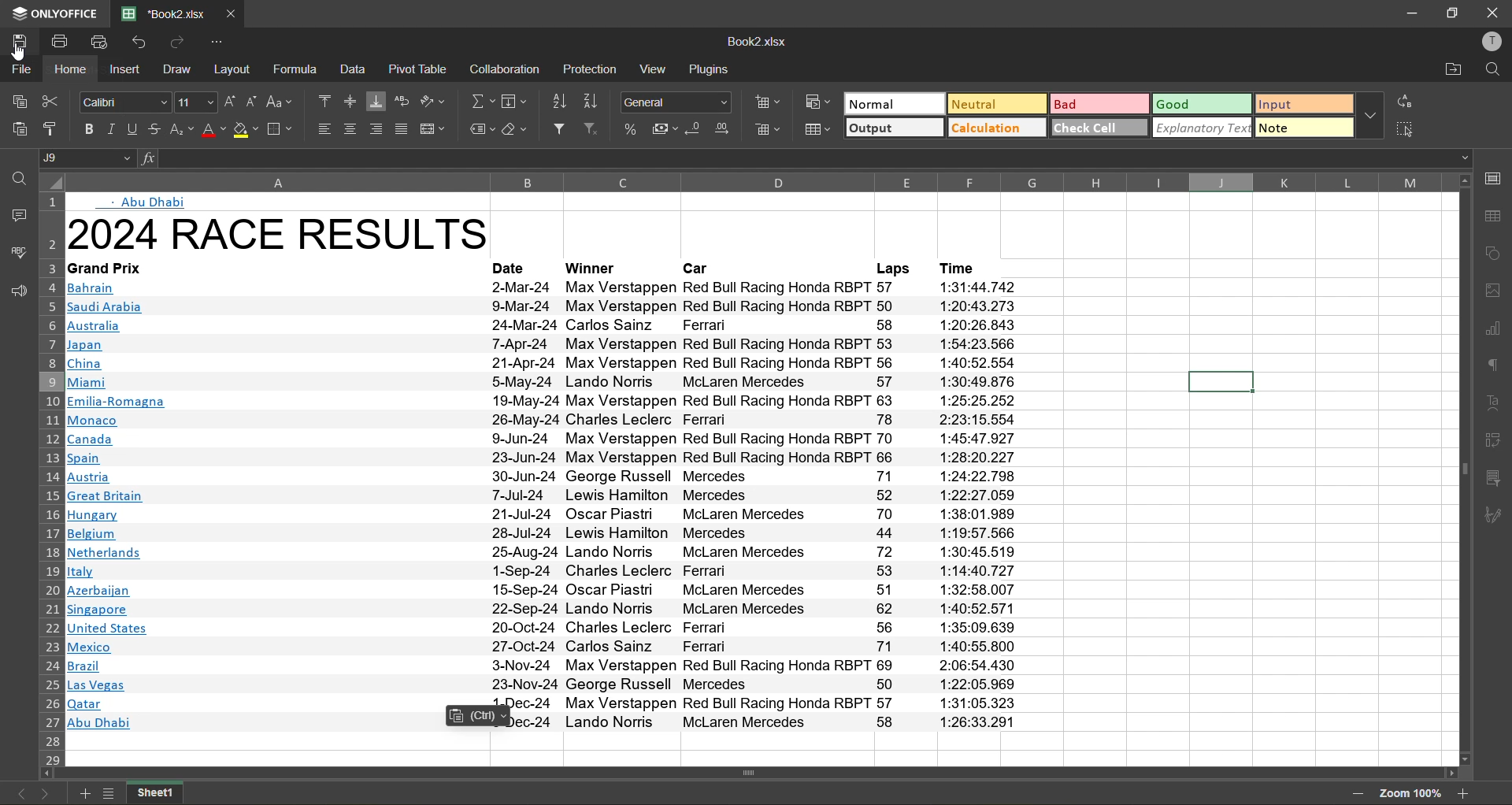 The height and width of the screenshot is (805, 1512). Describe the element at coordinates (195, 102) in the screenshot. I see `font size` at that location.